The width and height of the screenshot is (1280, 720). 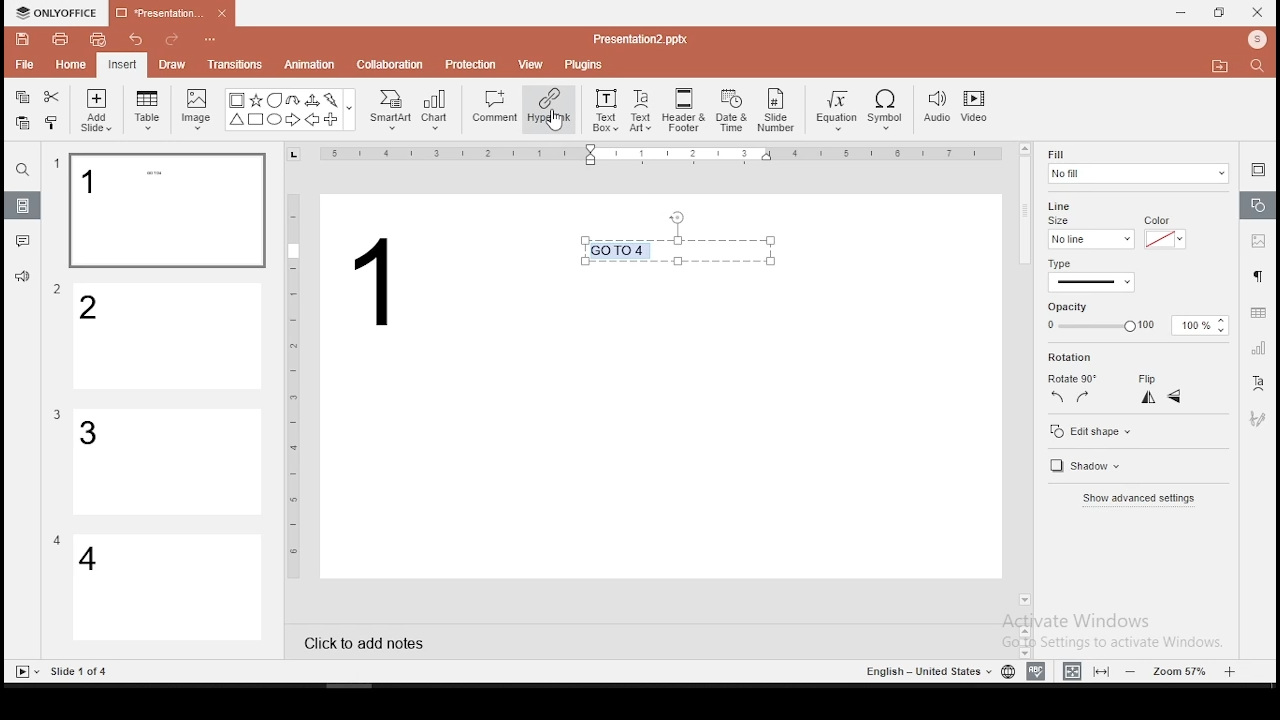 What do you see at coordinates (173, 64) in the screenshot?
I see `draw` at bounding box center [173, 64].